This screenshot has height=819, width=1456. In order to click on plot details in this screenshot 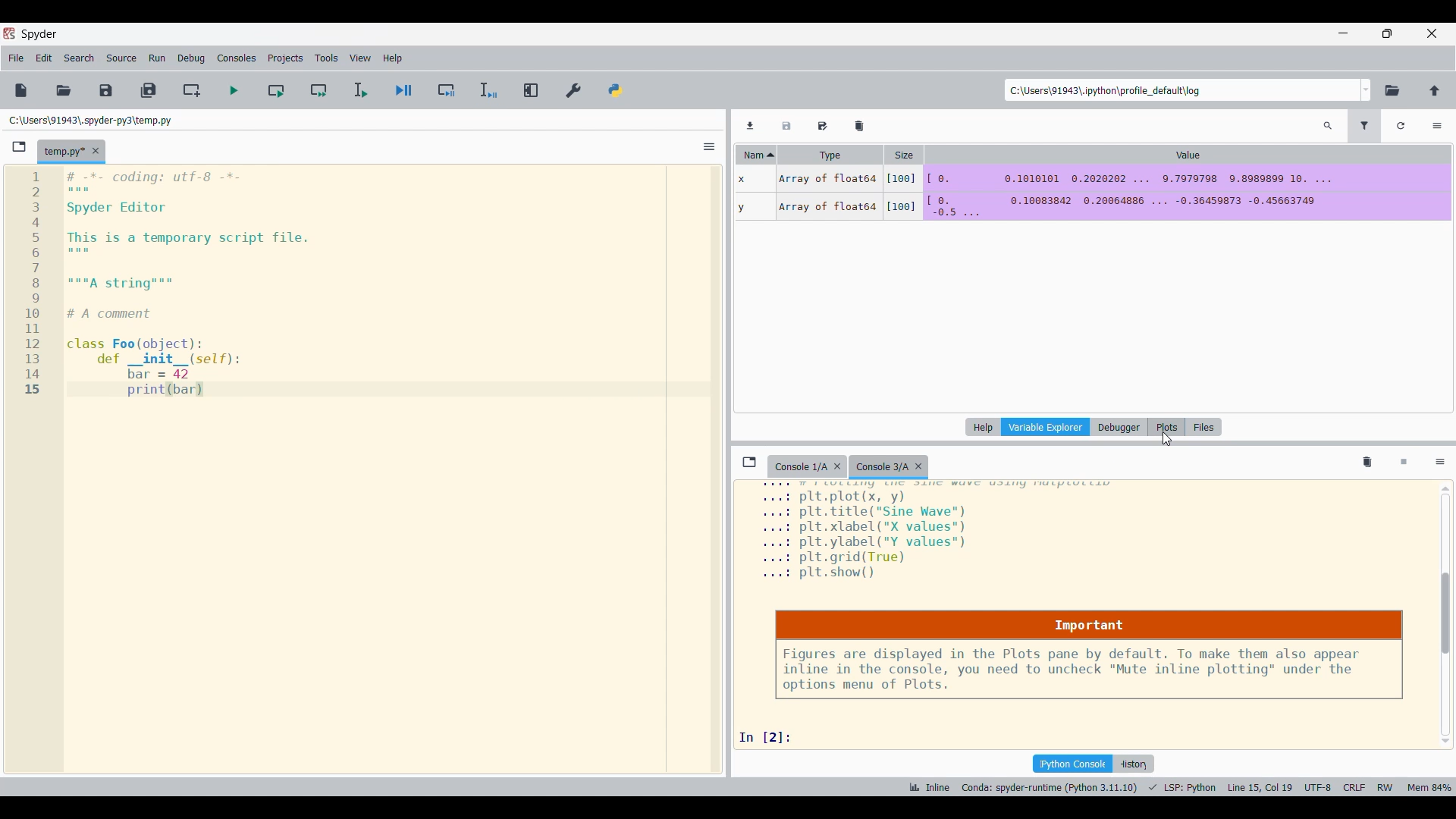, I will do `click(944, 534)`.